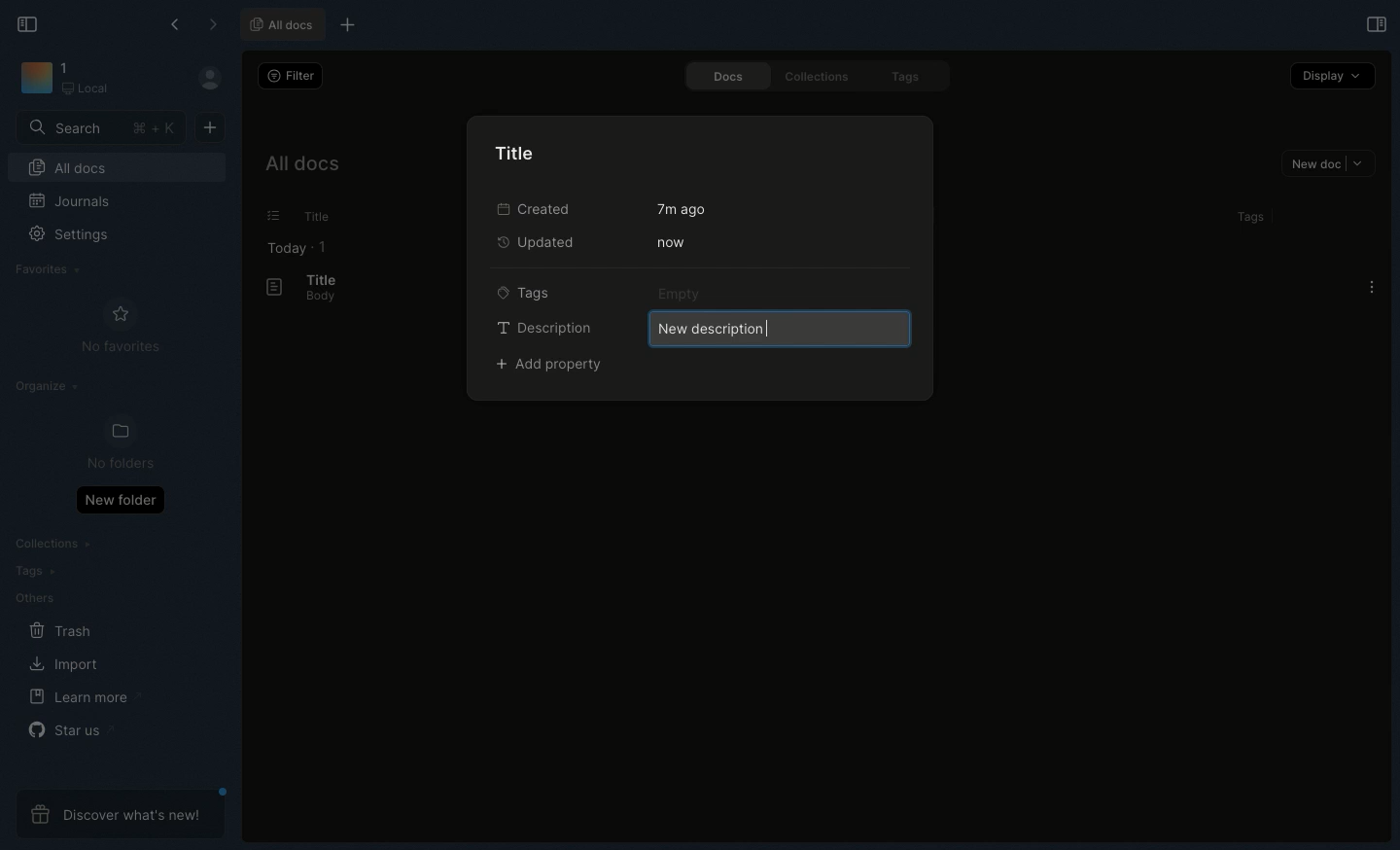  I want to click on Discover what's new, so click(121, 814).